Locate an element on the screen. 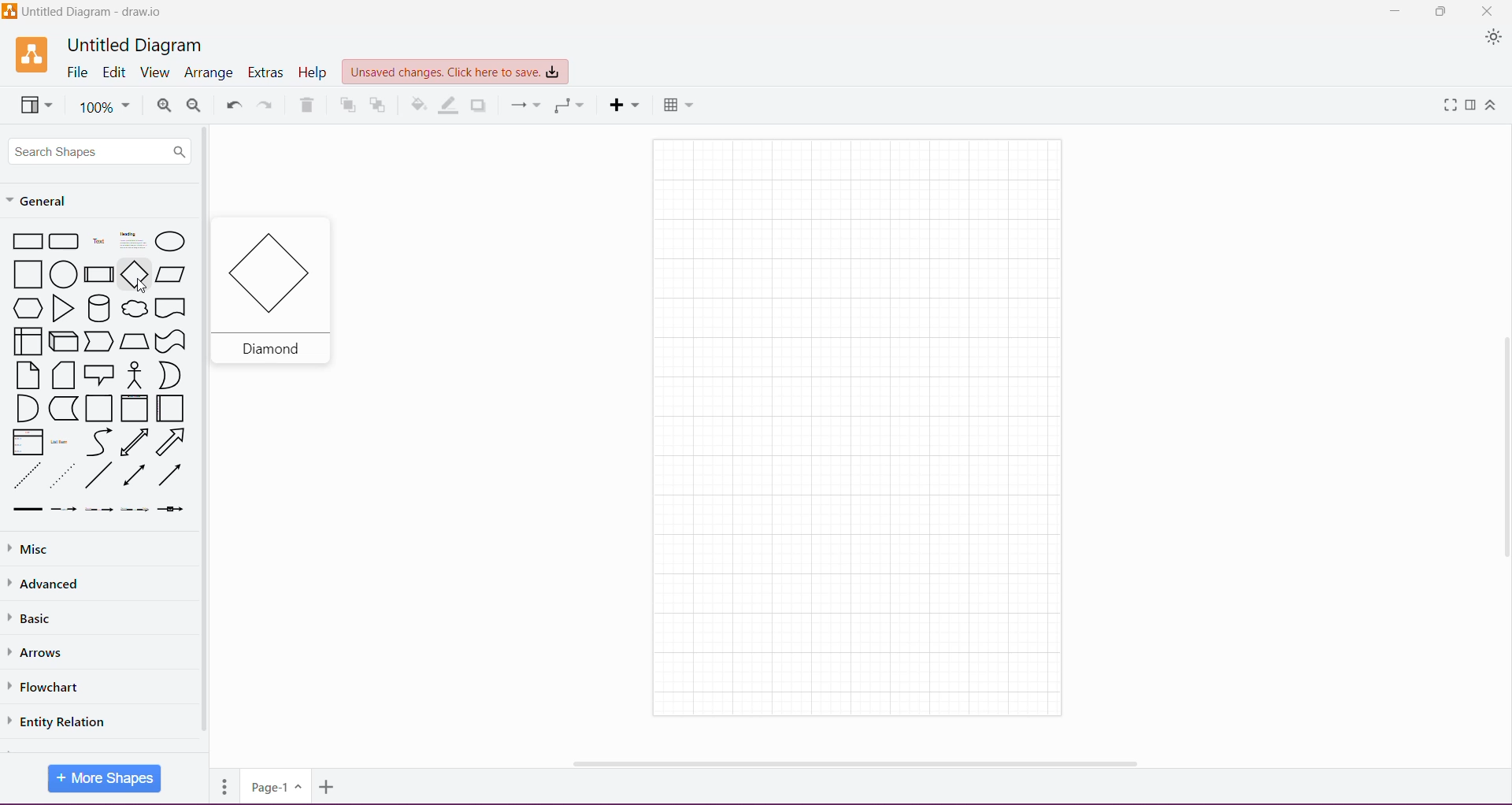 This screenshot has height=805, width=1512. Horizontal Scroll Bar is located at coordinates (853, 762).